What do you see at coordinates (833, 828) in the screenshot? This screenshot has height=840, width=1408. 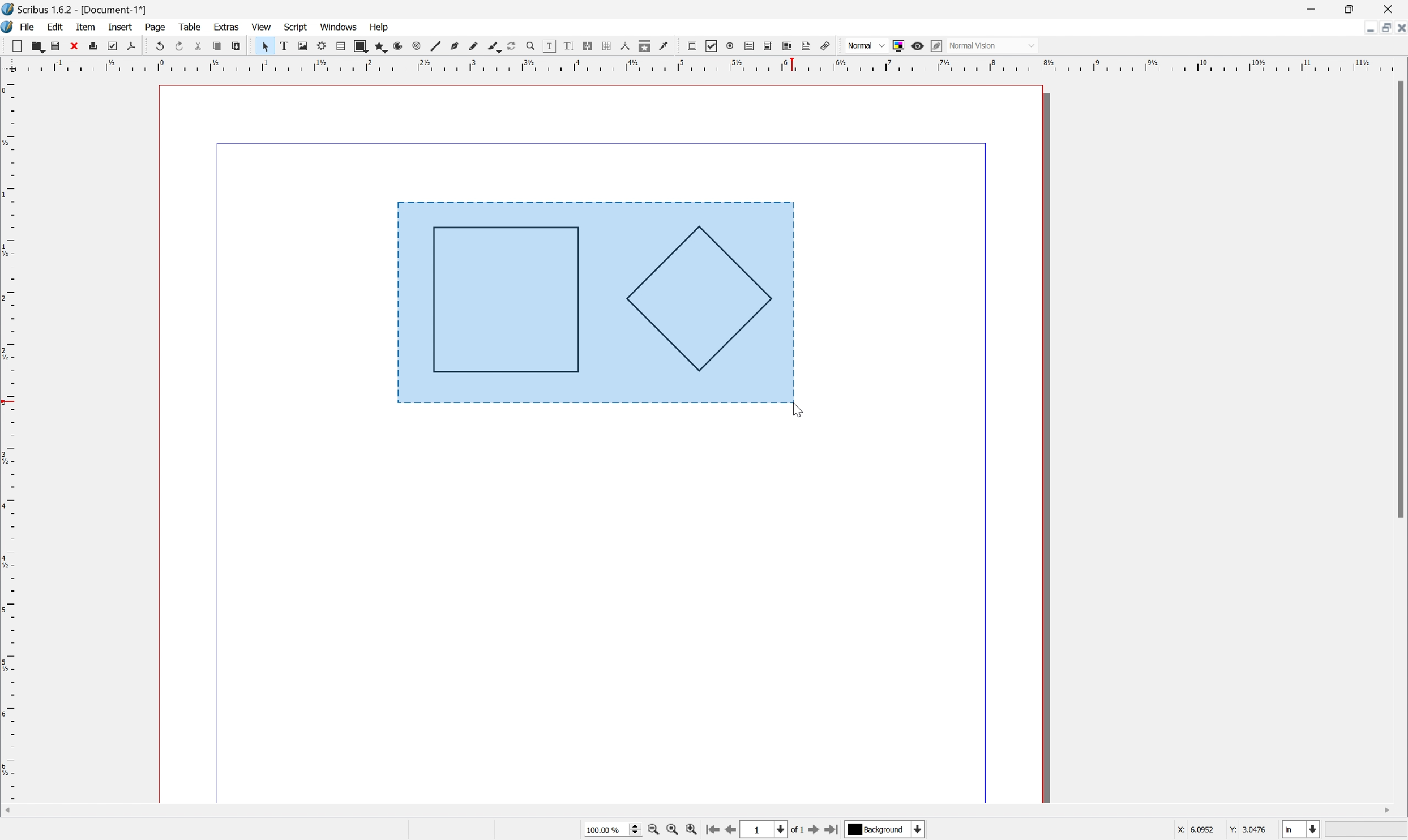 I see `Go to last page` at bounding box center [833, 828].